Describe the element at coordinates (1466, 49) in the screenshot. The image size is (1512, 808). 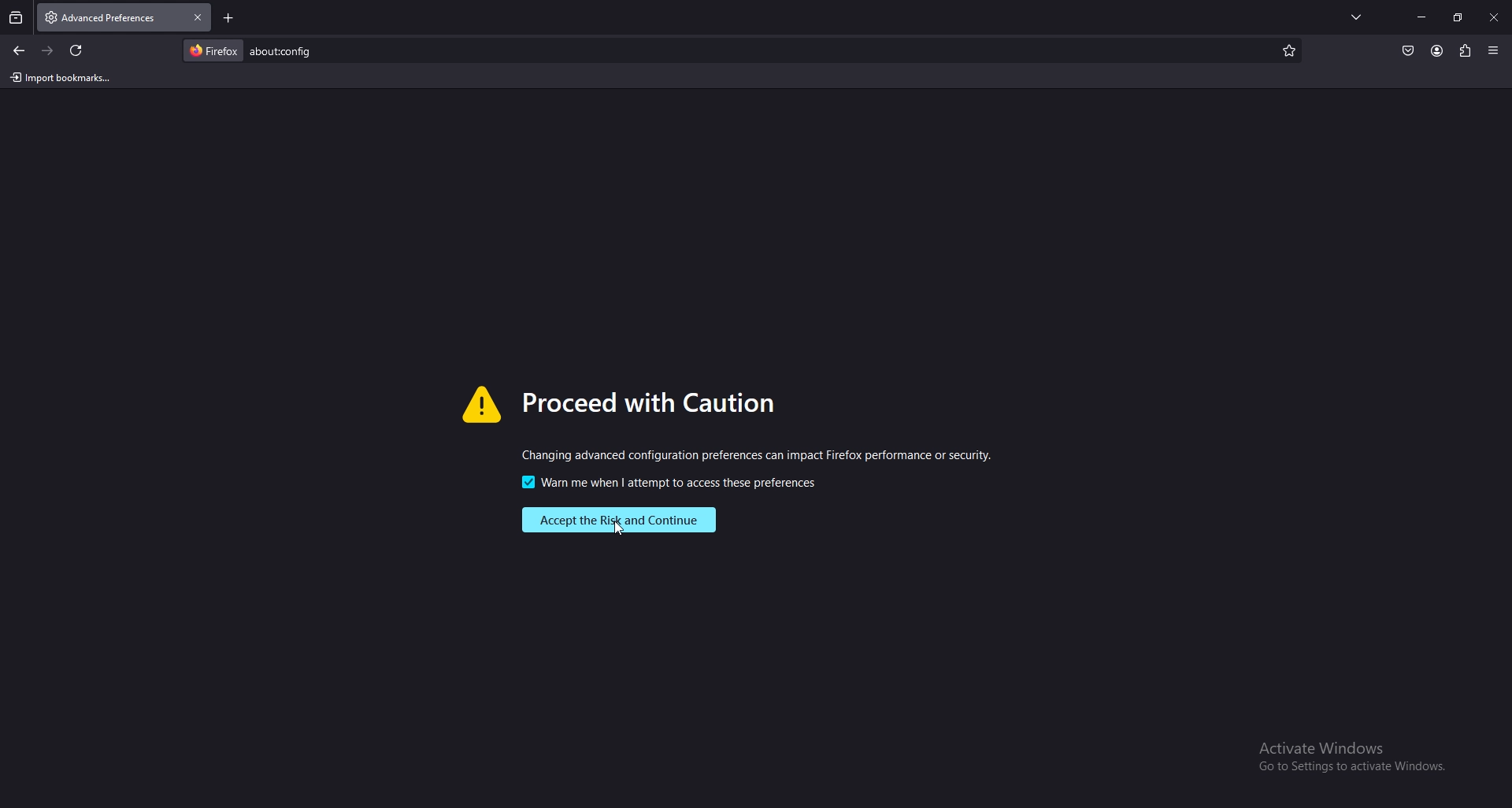
I see `extensions` at that location.